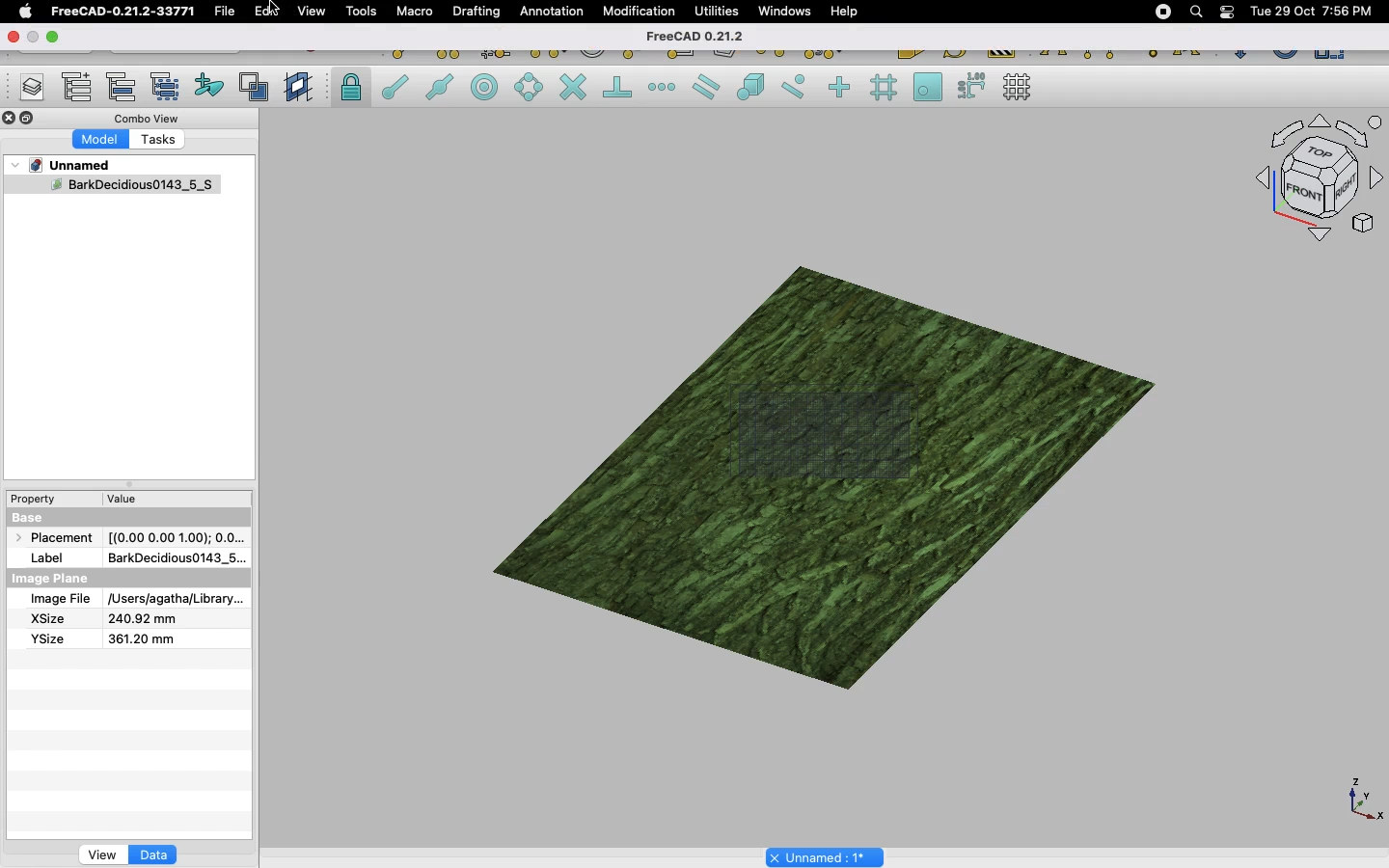 Image resolution: width=1389 pixels, height=868 pixels. I want to click on Snap perpendicular, so click(620, 89).